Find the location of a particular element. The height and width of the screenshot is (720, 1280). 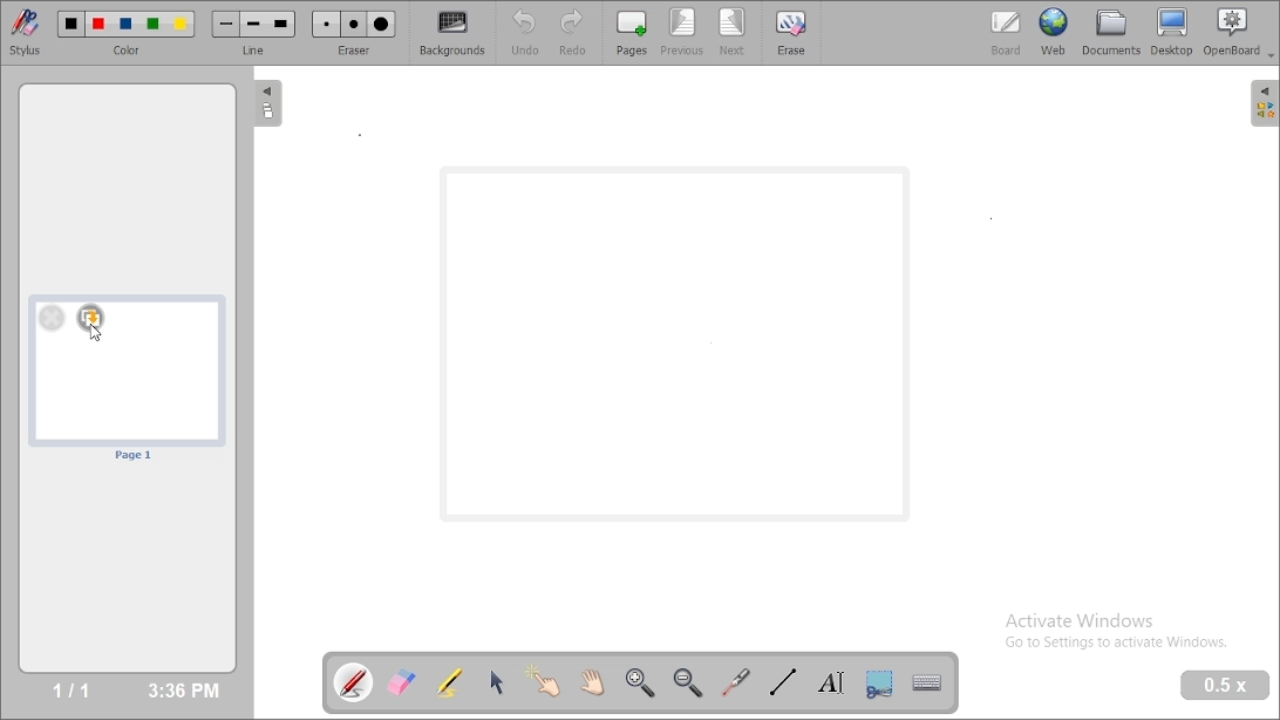

write text is located at coordinates (831, 683).